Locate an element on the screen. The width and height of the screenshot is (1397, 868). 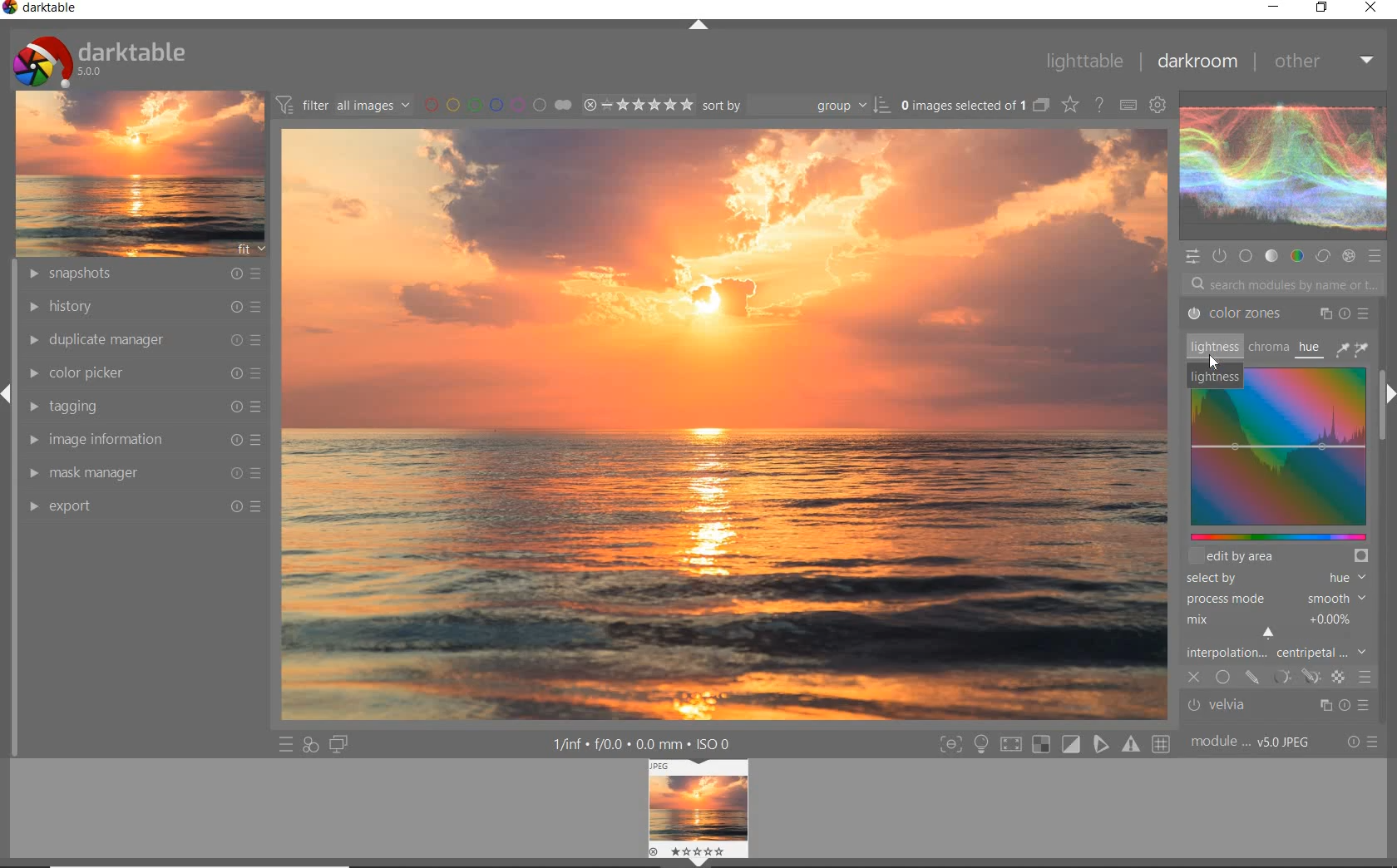
COLOR PICKER is located at coordinates (148, 372).